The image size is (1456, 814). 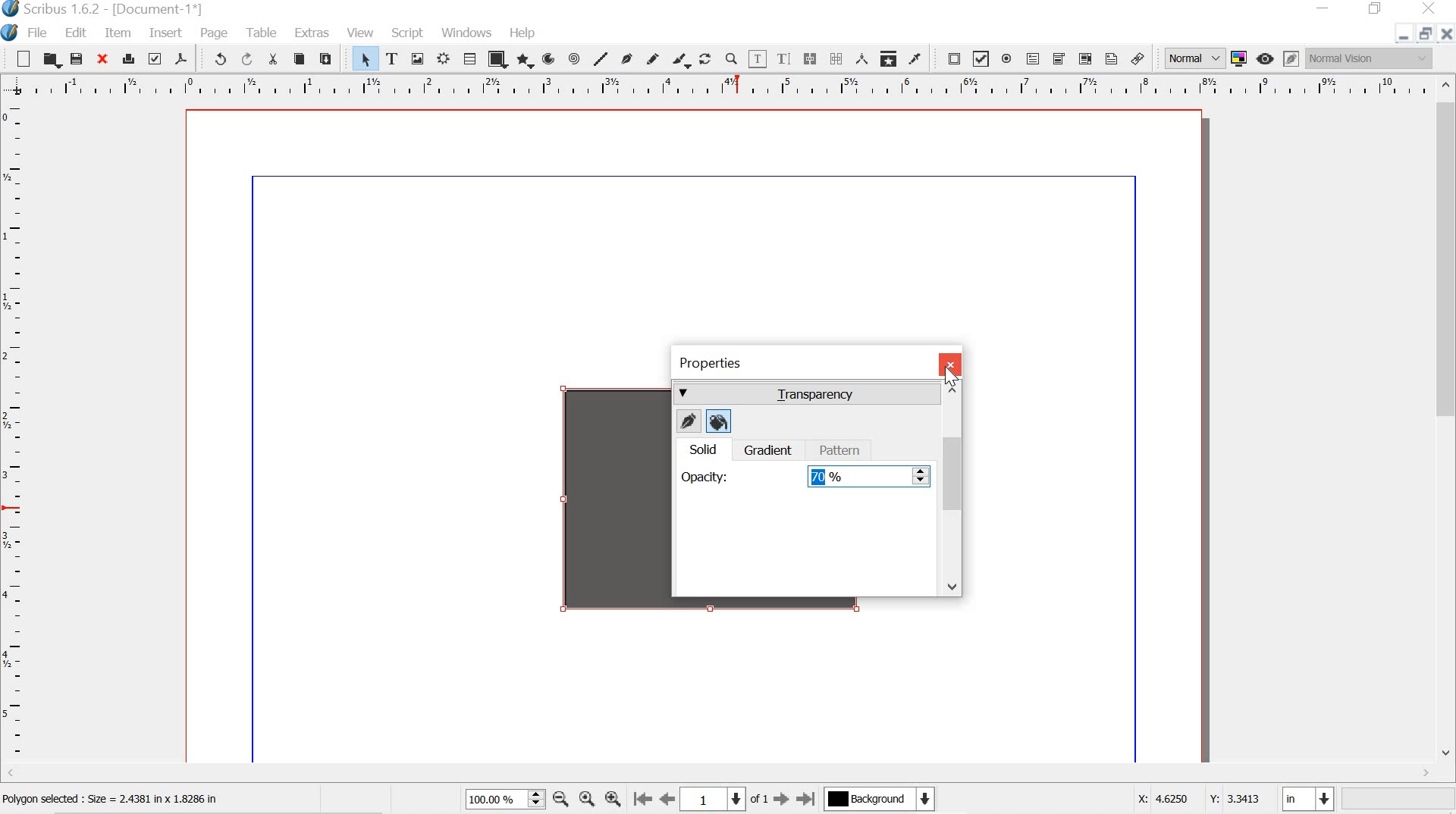 I want to click on pdf combo box, so click(x=1058, y=58).